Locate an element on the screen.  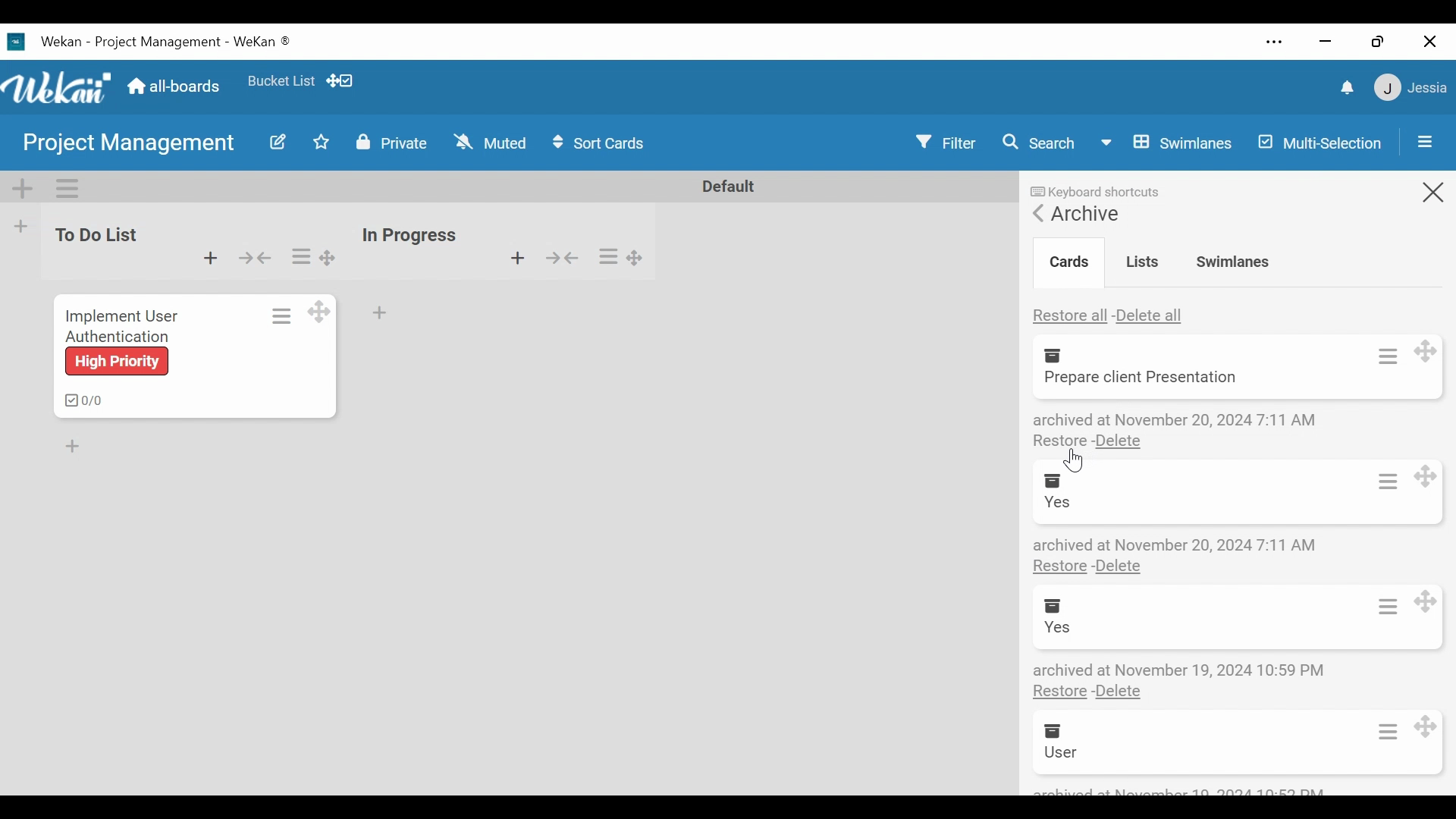
Swimlanes is located at coordinates (1232, 260).